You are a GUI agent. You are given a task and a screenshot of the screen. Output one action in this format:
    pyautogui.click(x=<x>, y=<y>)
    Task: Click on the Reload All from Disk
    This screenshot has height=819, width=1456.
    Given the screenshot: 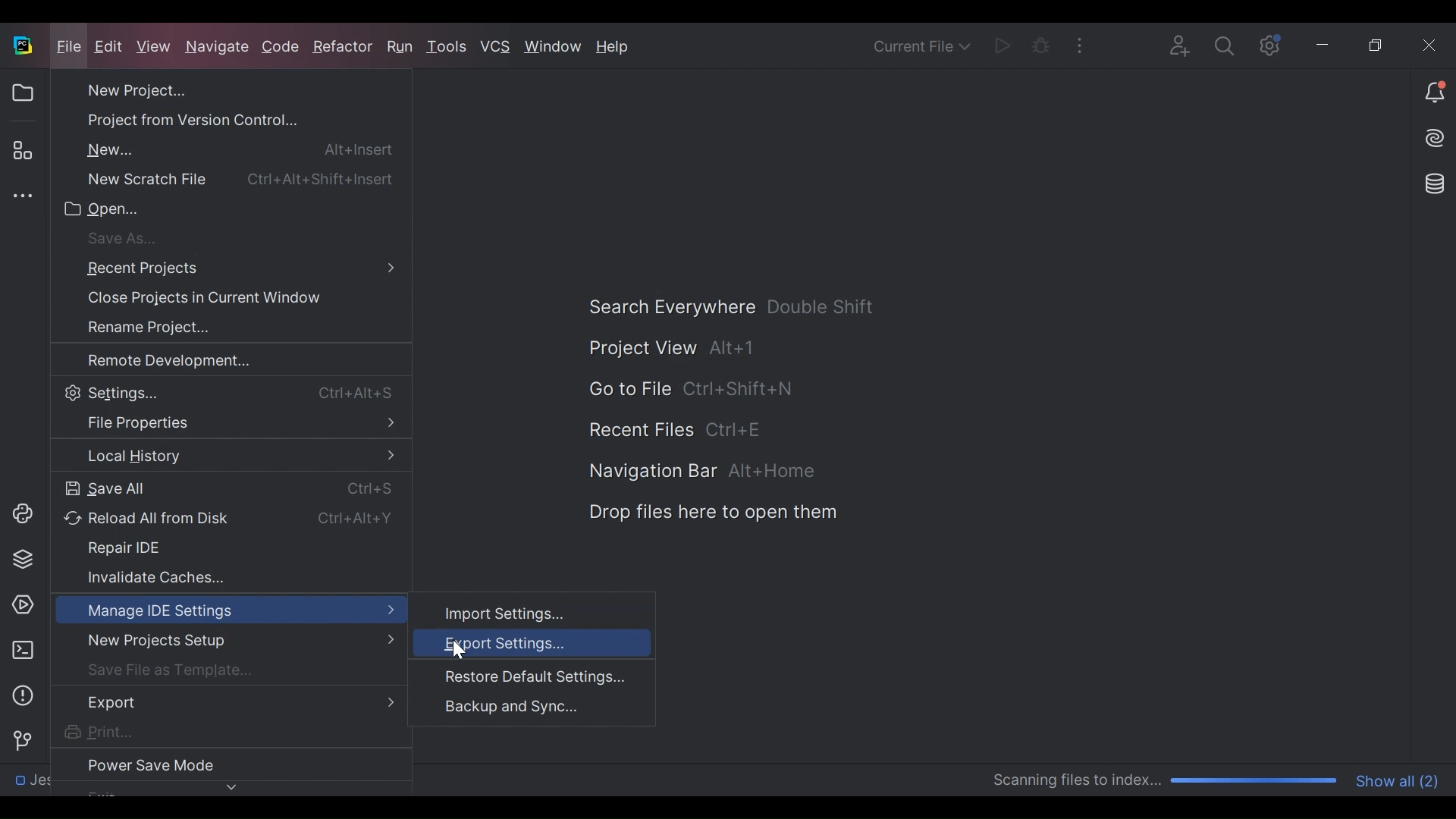 What is the action you would take?
    pyautogui.click(x=219, y=519)
    